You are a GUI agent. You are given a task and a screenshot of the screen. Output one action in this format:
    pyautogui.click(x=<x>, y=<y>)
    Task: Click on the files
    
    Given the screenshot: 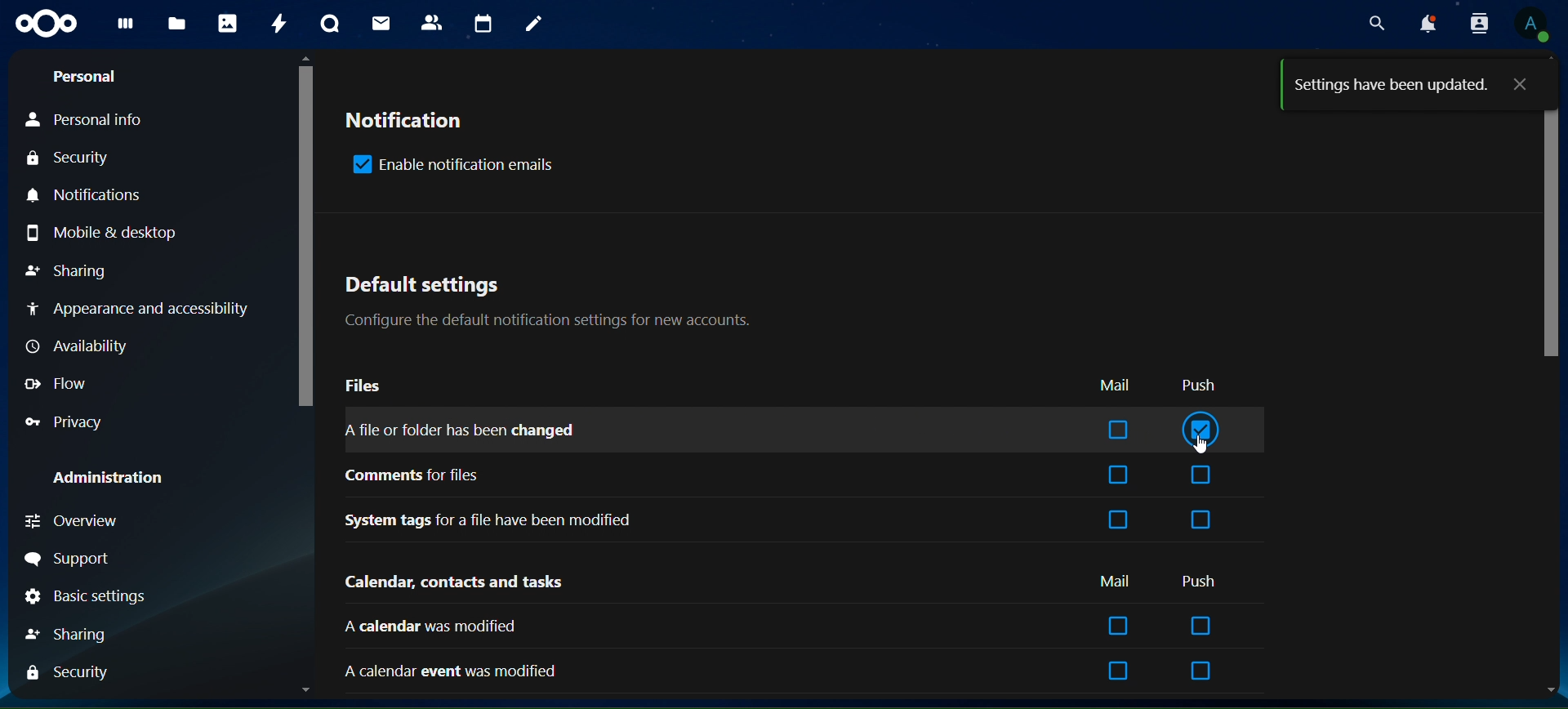 What is the action you would take?
    pyautogui.click(x=178, y=22)
    